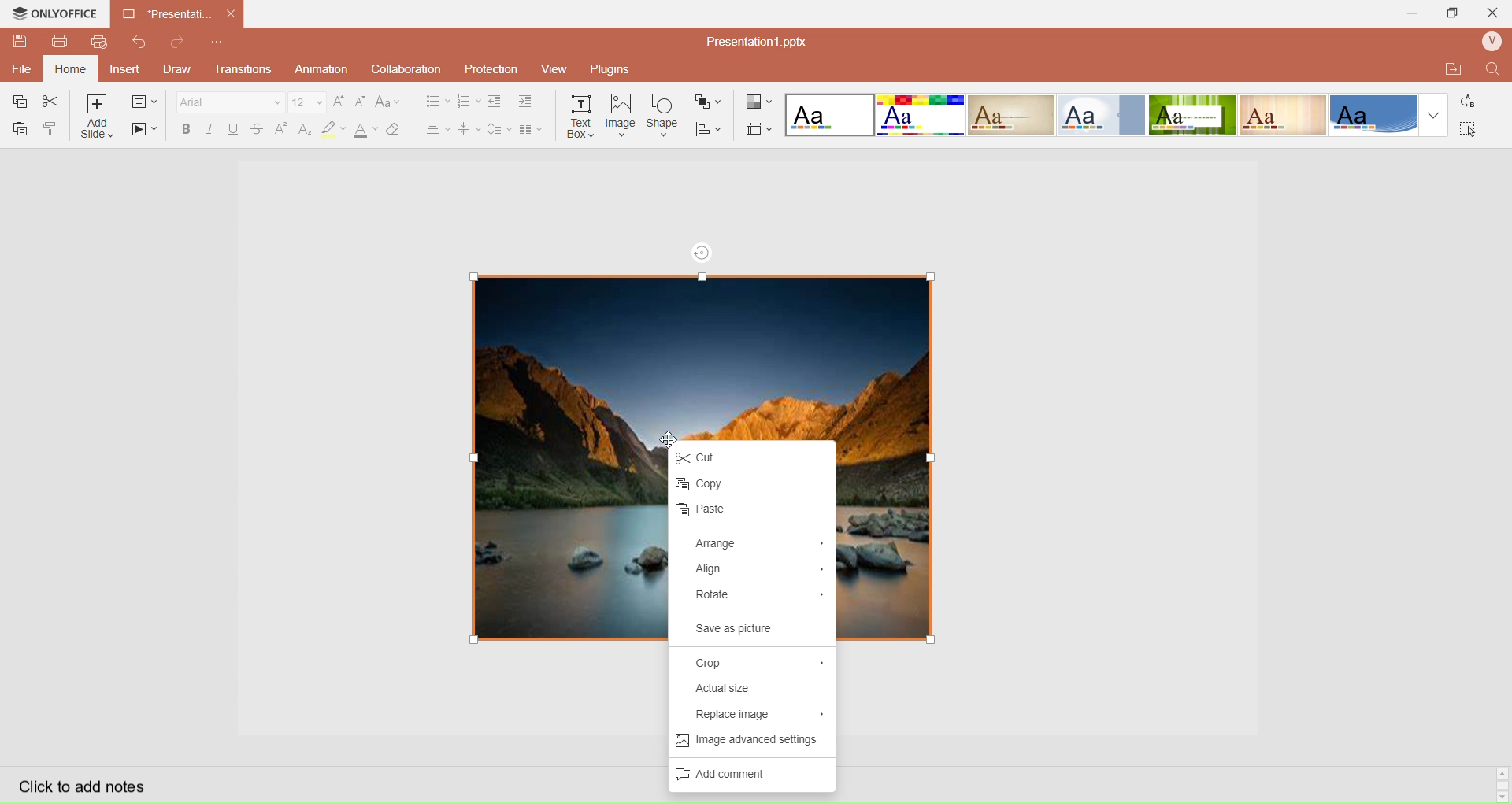 This screenshot has width=1512, height=803. What do you see at coordinates (751, 743) in the screenshot?
I see `Image advance settings ` at bounding box center [751, 743].